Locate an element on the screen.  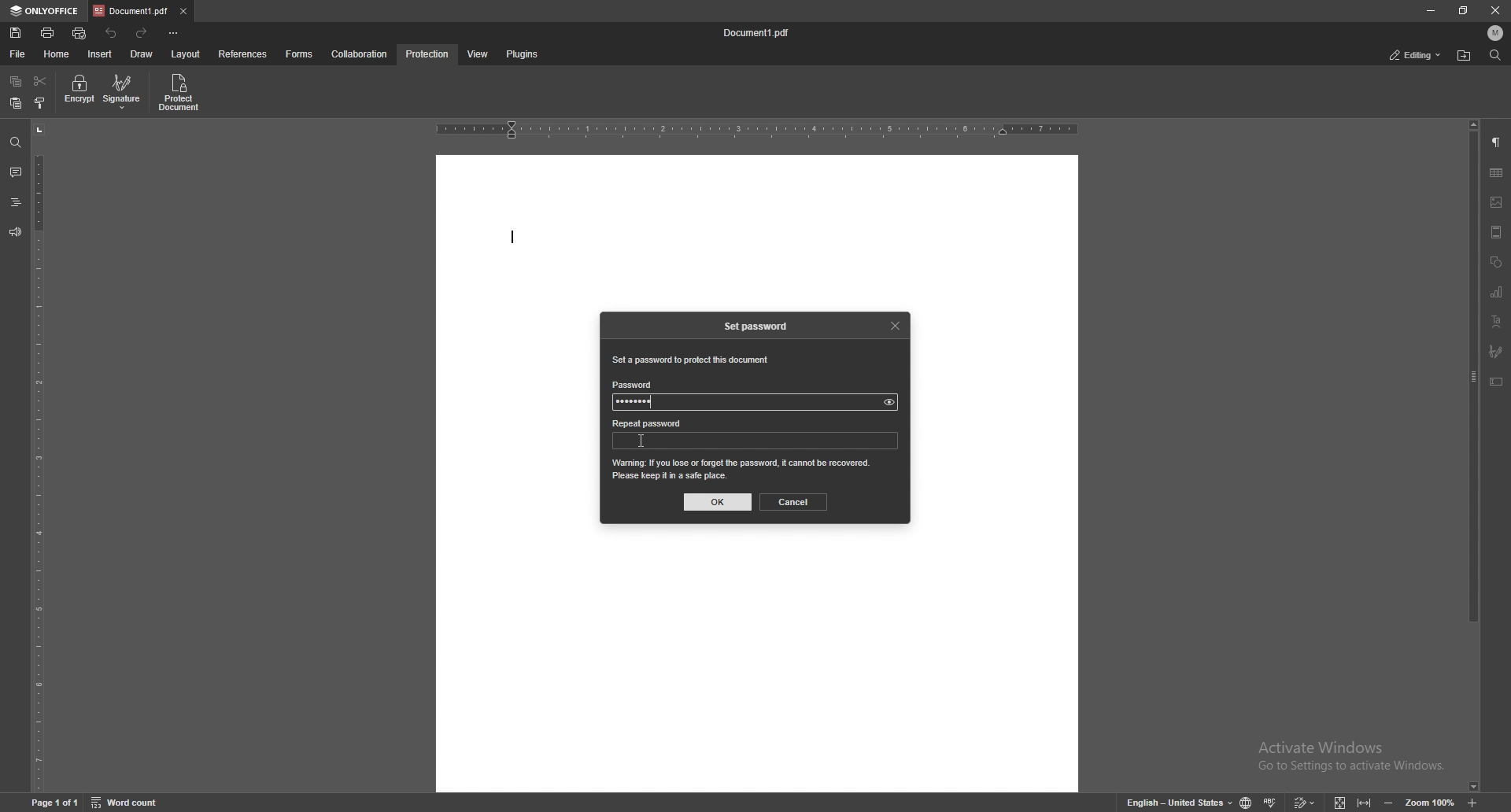
quick print is located at coordinates (81, 33).